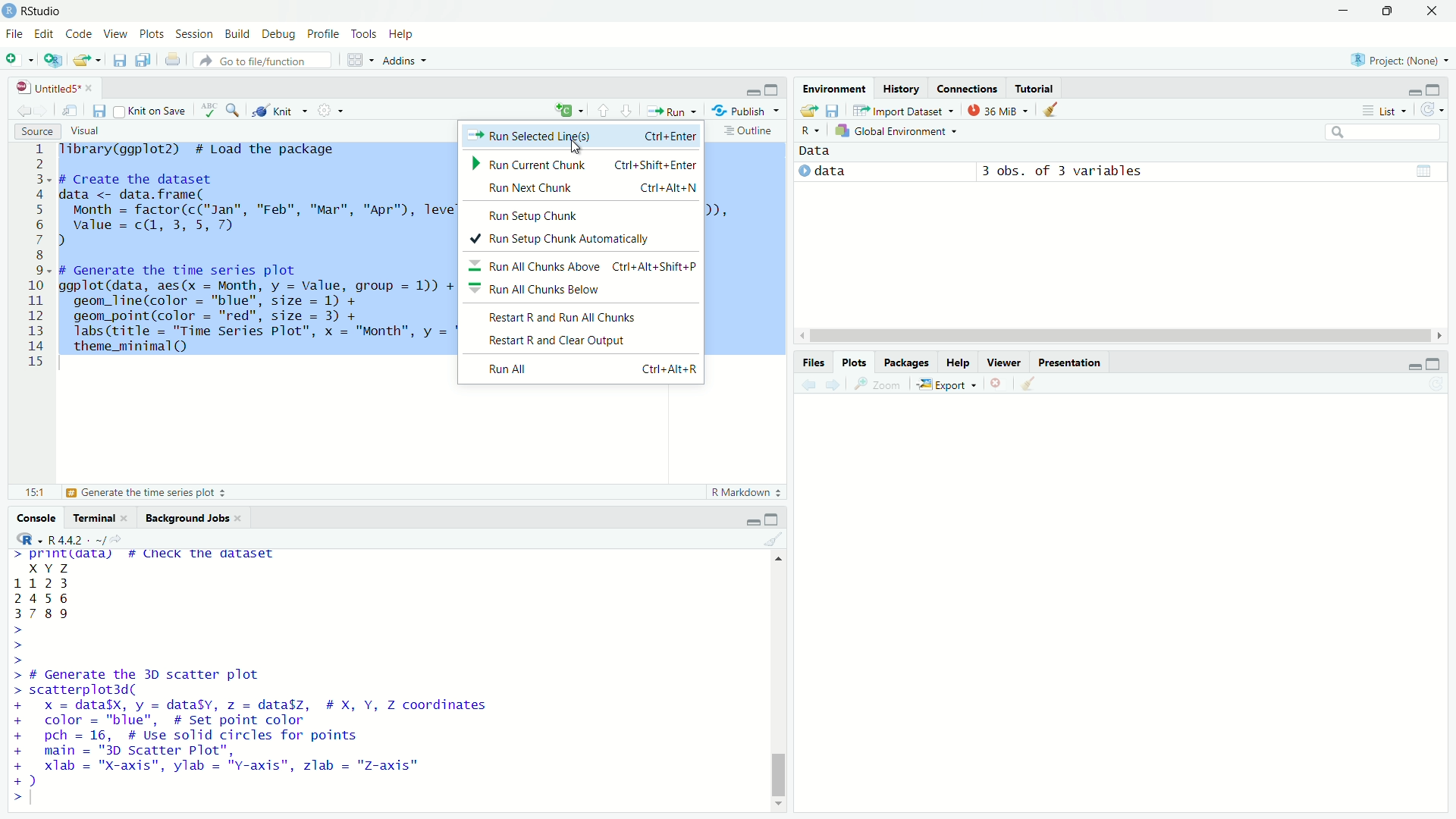 The height and width of the screenshot is (819, 1456). What do you see at coordinates (1380, 110) in the screenshot?
I see `list` at bounding box center [1380, 110].